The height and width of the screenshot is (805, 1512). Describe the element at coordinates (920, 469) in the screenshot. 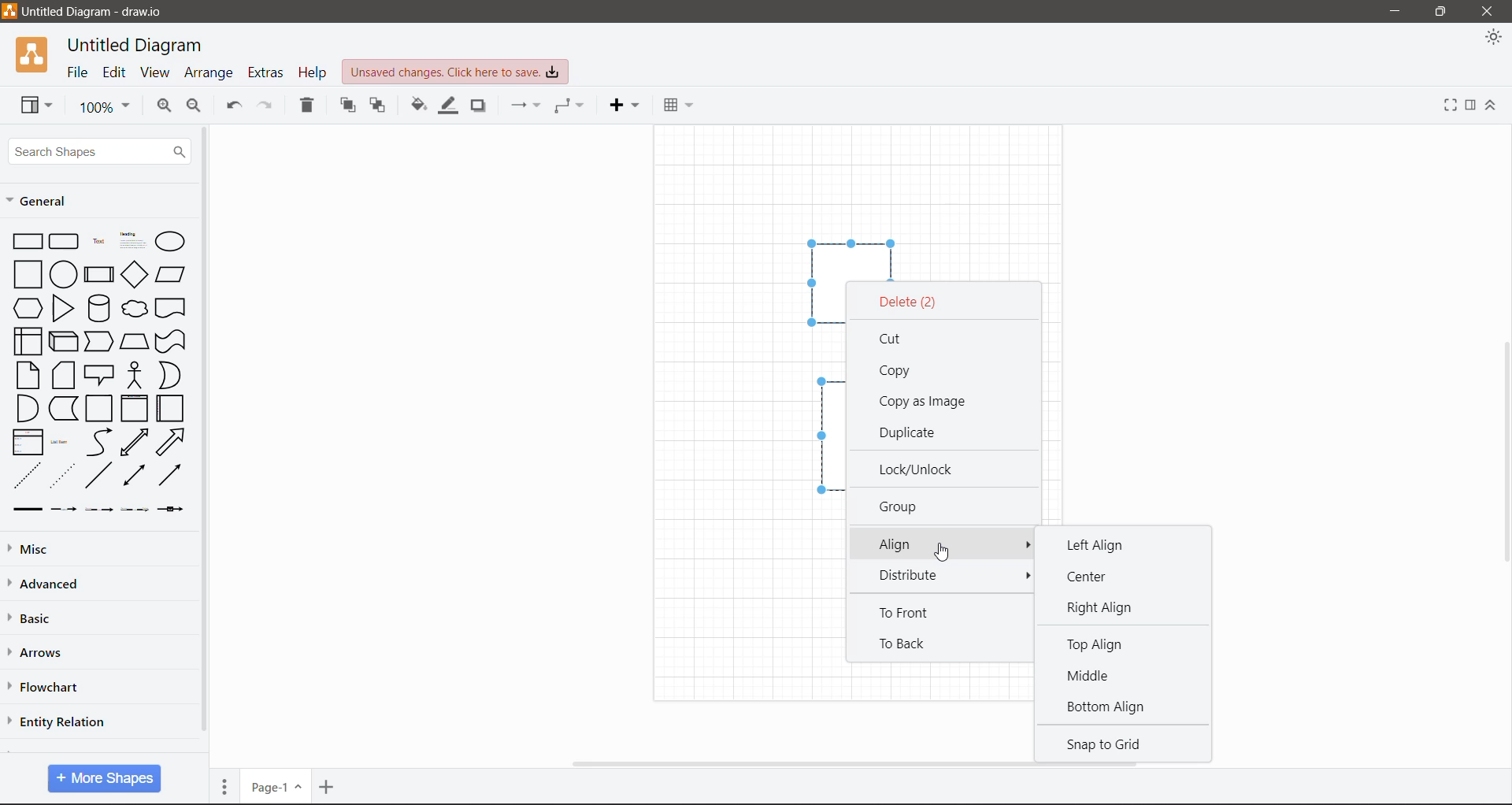

I see `Lock/Unlock` at that location.